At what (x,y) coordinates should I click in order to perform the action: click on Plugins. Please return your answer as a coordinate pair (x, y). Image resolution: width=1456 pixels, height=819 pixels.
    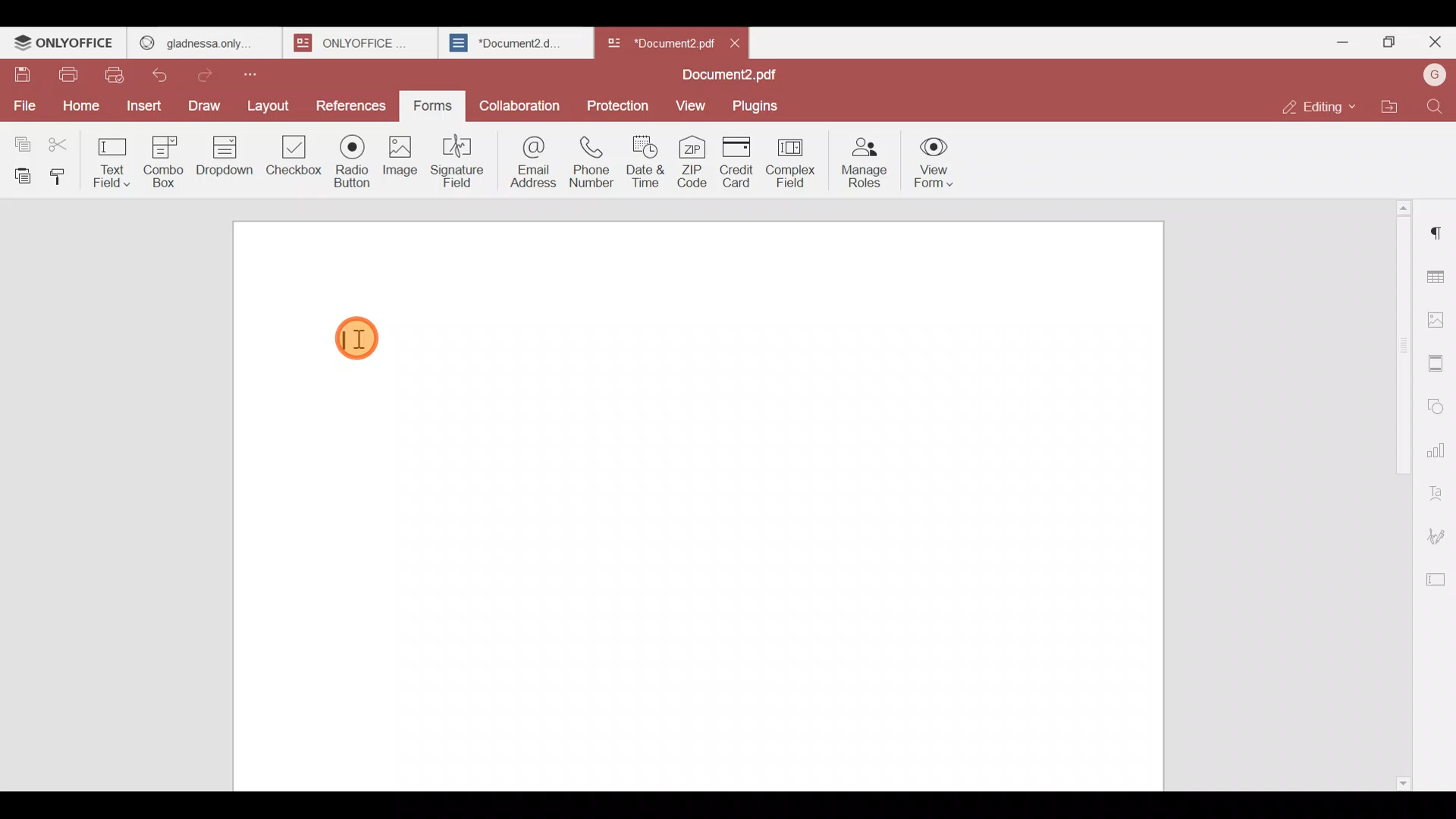
    Looking at the image, I should click on (756, 105).